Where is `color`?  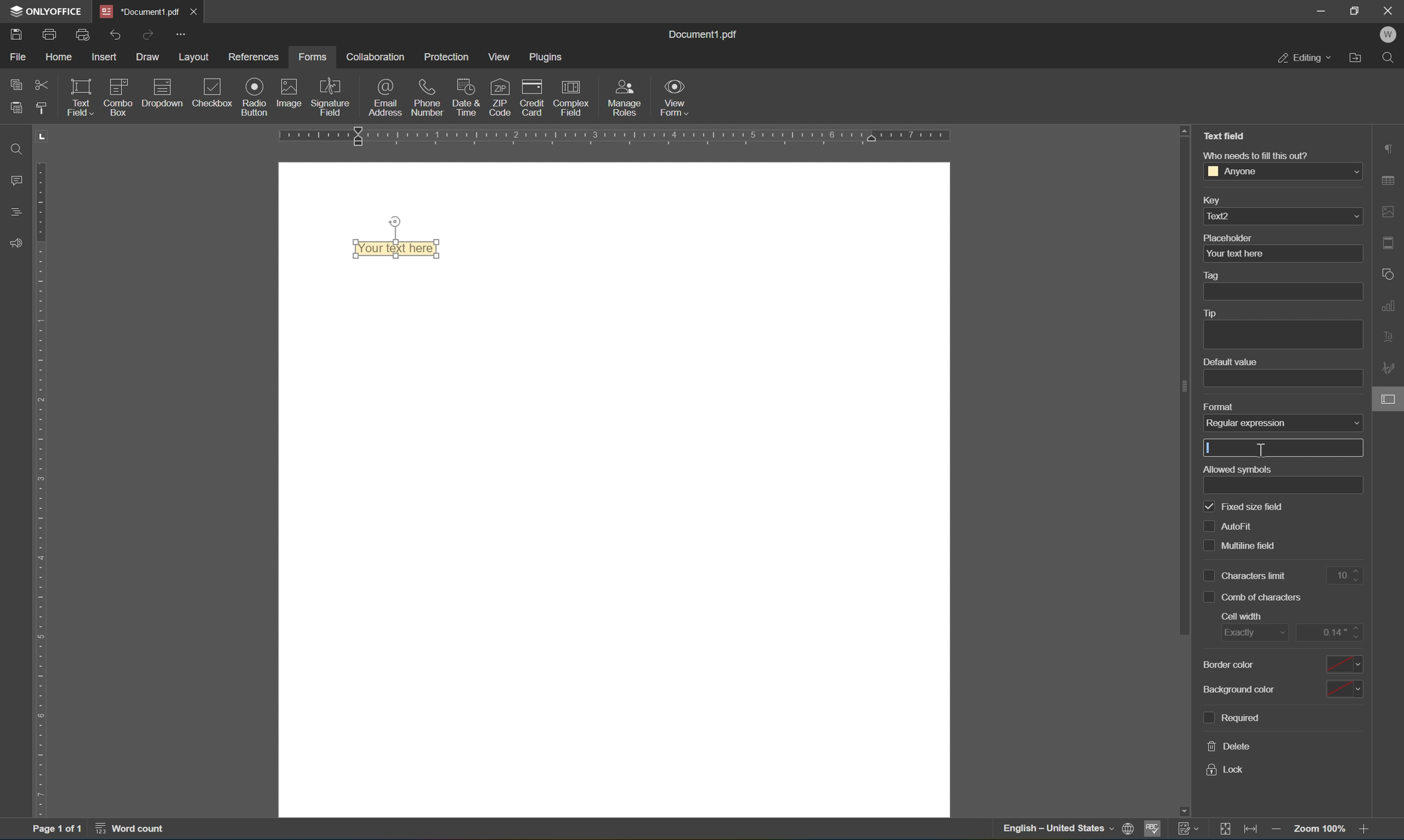 color is located at coordinates (1343, 690).